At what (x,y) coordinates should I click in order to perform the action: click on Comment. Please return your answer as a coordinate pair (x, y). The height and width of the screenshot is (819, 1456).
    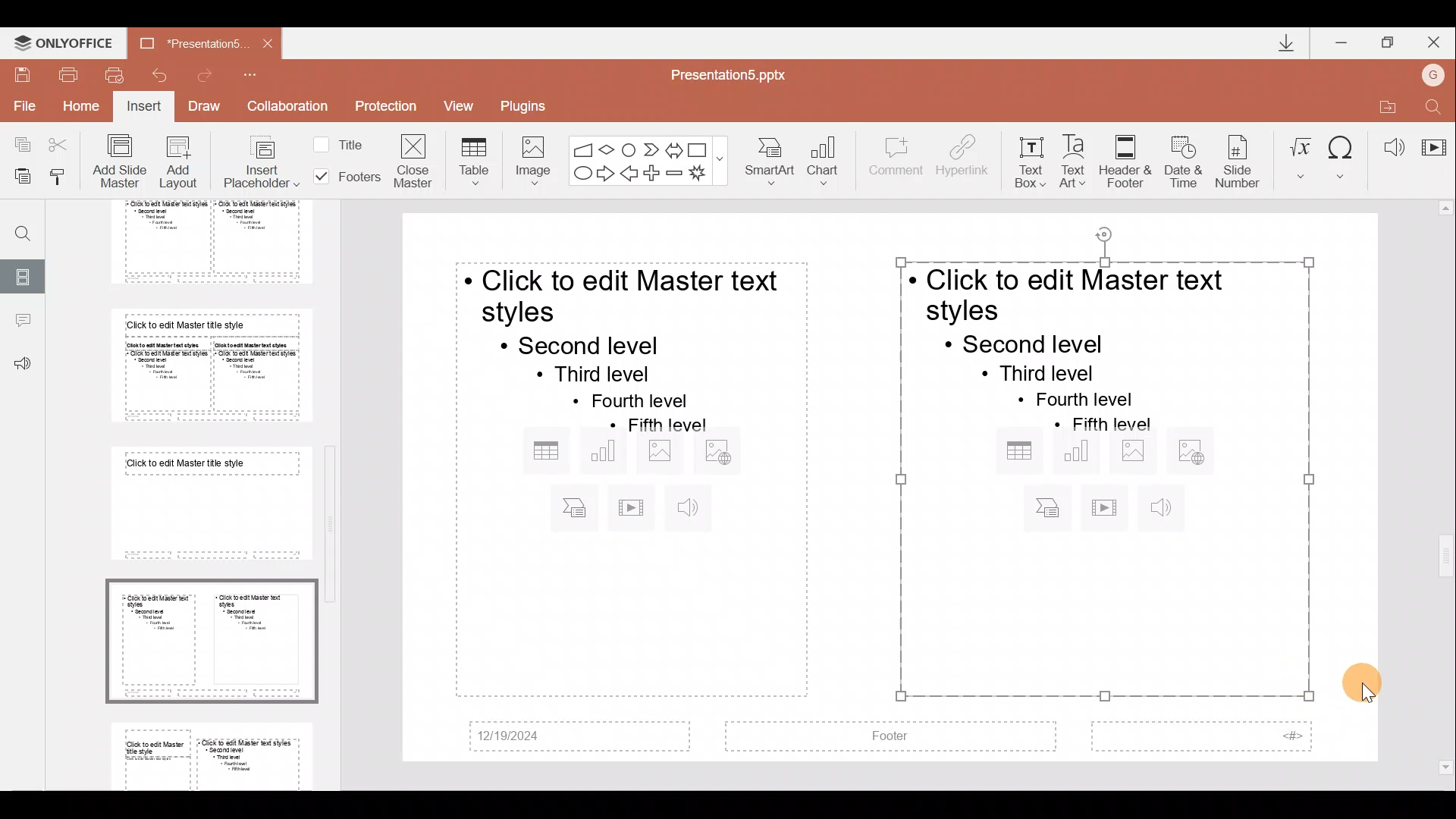
    Looking at the image, I should click on (896, 163).